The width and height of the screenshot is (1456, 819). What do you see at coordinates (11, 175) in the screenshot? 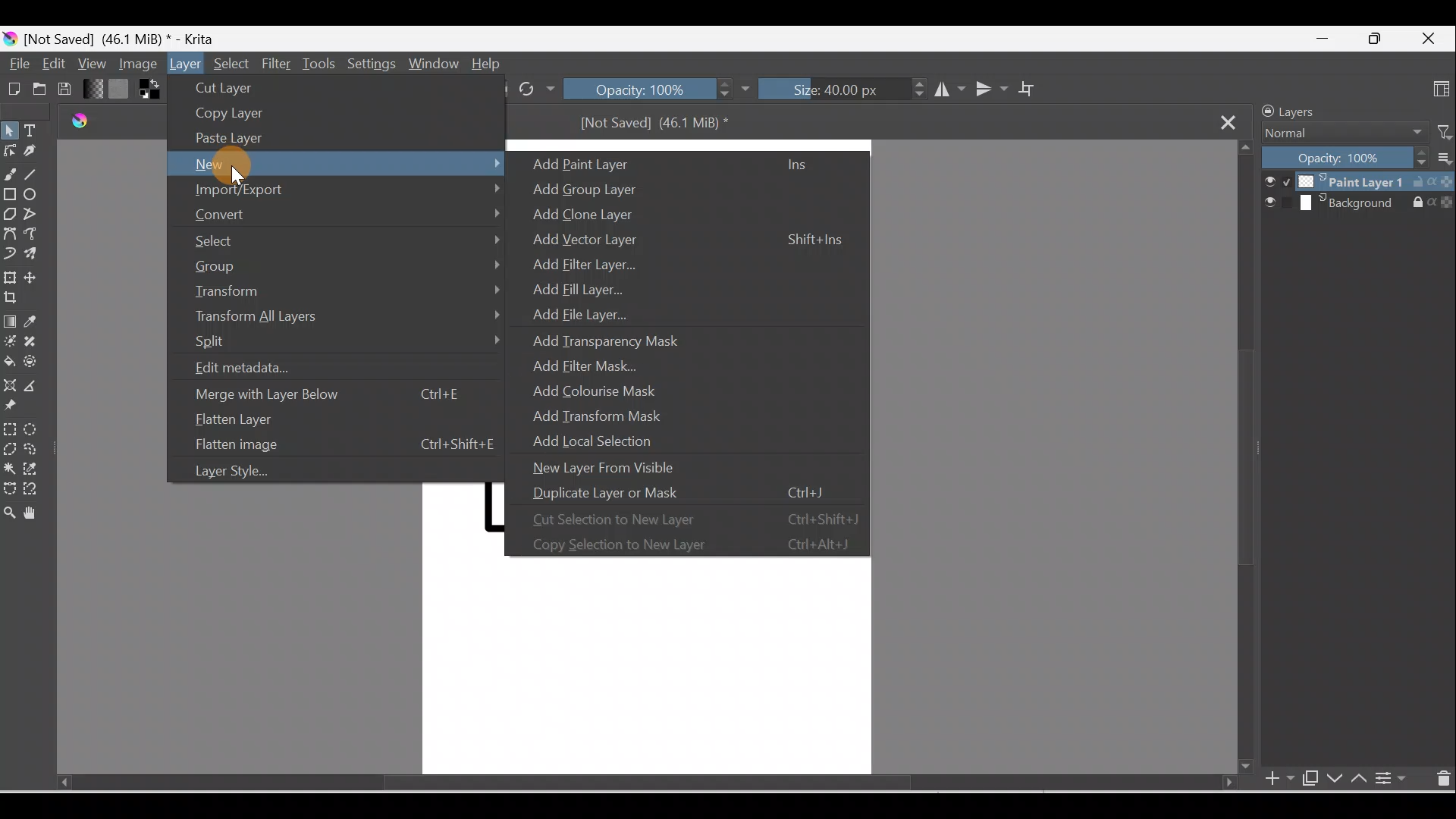
I see `Freehand brush tool` at bounding box center [11, 175].